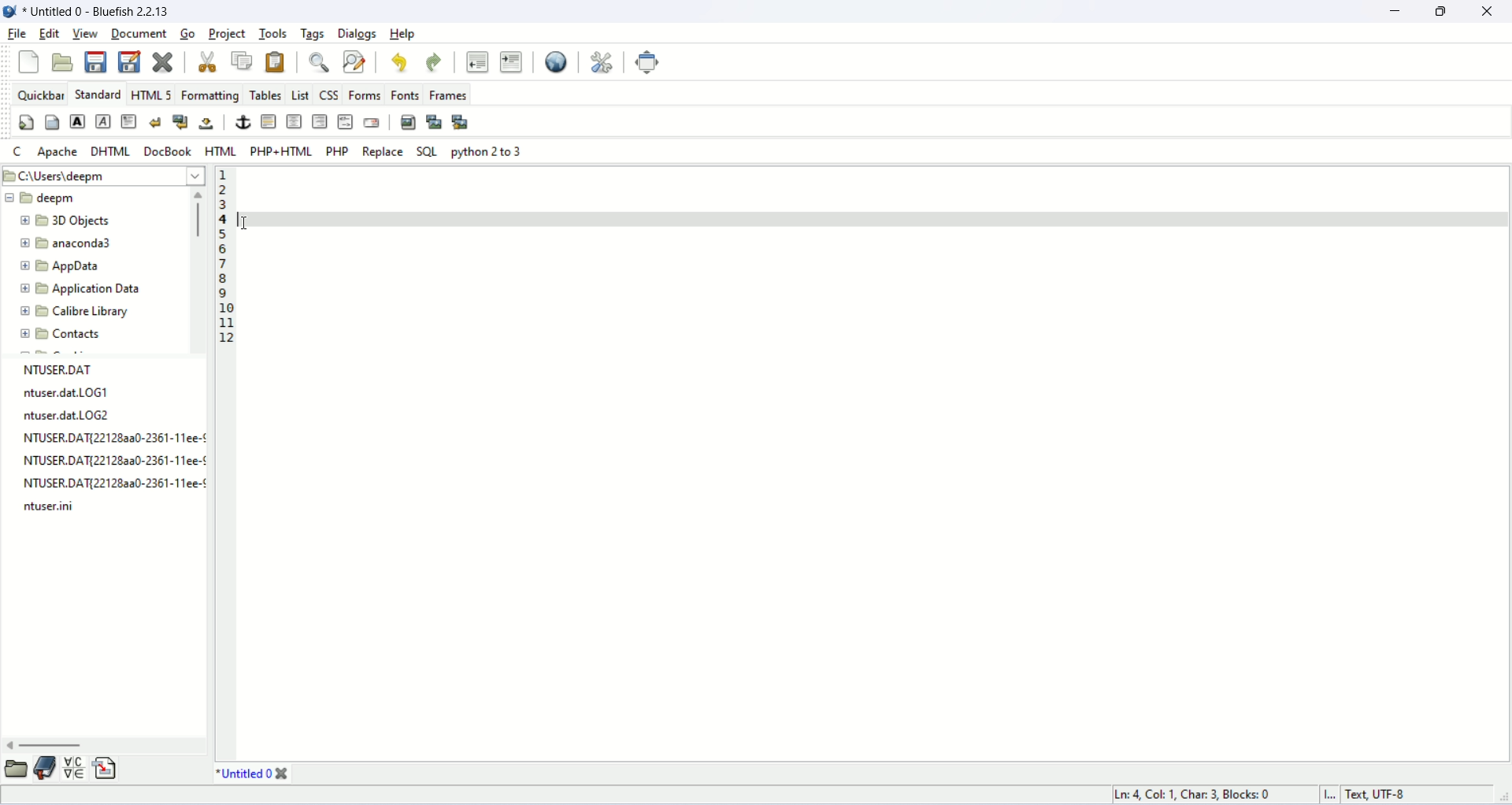  What do you see at coordinates (209, 123) in the screenshot?
I see `non breaking space` at bounding box center [209, 123].